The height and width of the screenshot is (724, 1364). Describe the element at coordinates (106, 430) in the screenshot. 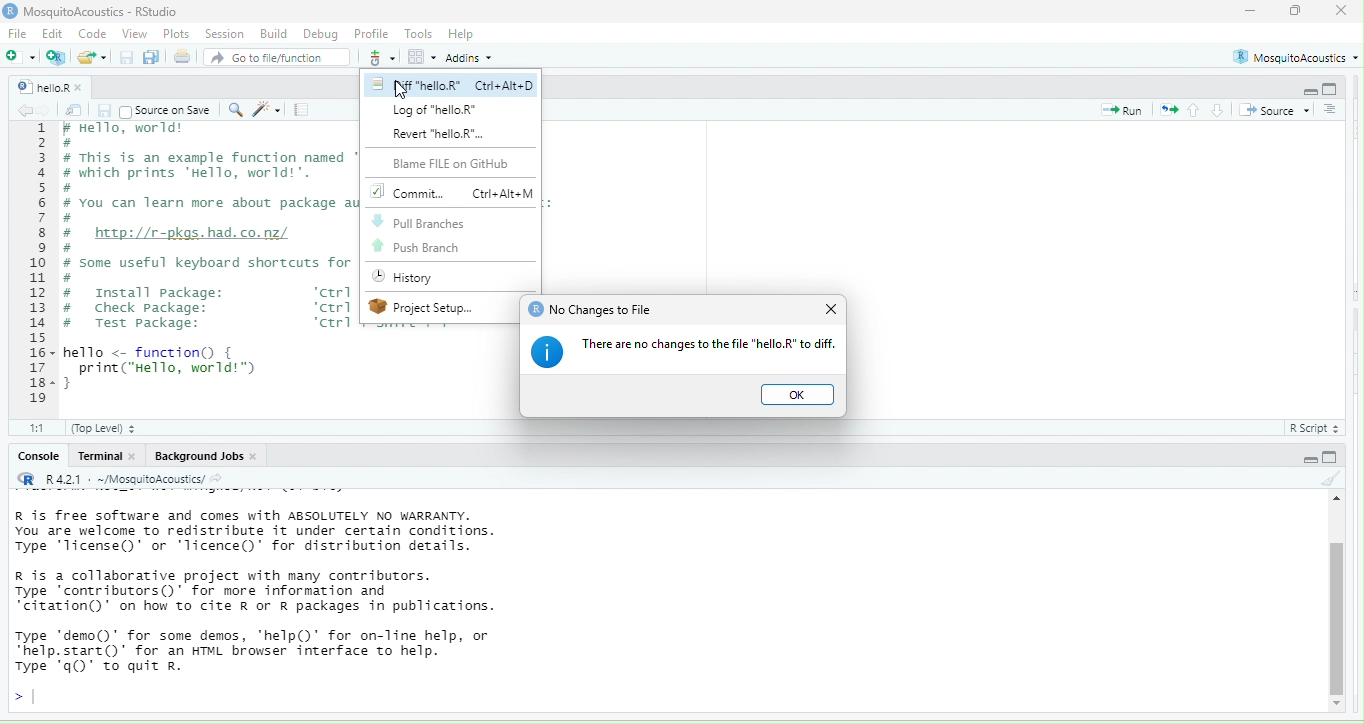

I see `(Top Level) ` at that location.